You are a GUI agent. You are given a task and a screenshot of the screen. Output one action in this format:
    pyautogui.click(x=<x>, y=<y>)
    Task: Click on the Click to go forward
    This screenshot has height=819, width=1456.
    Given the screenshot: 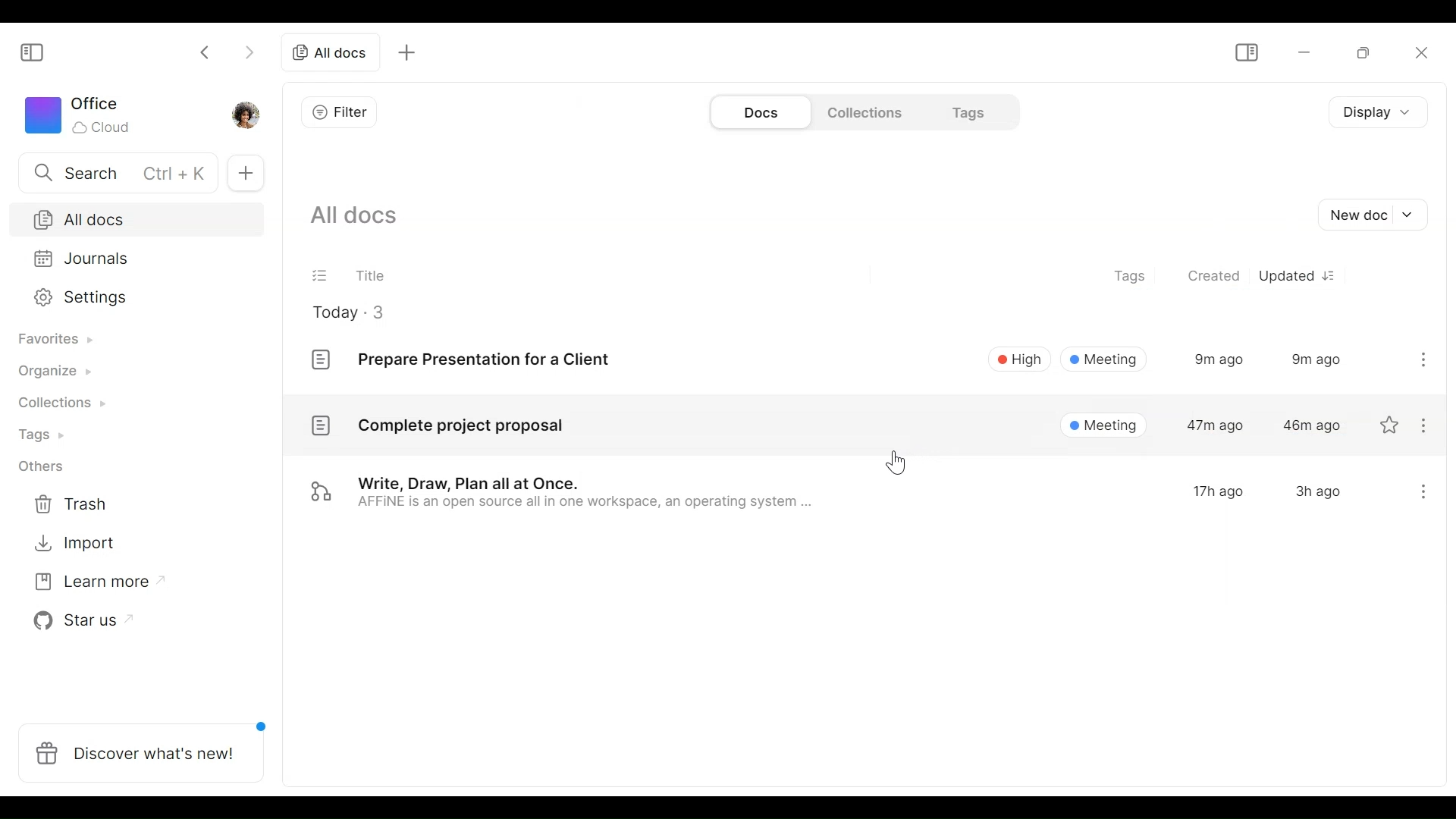 What is the action you would take?
    pyautogui.click(x=249, y=50)
    